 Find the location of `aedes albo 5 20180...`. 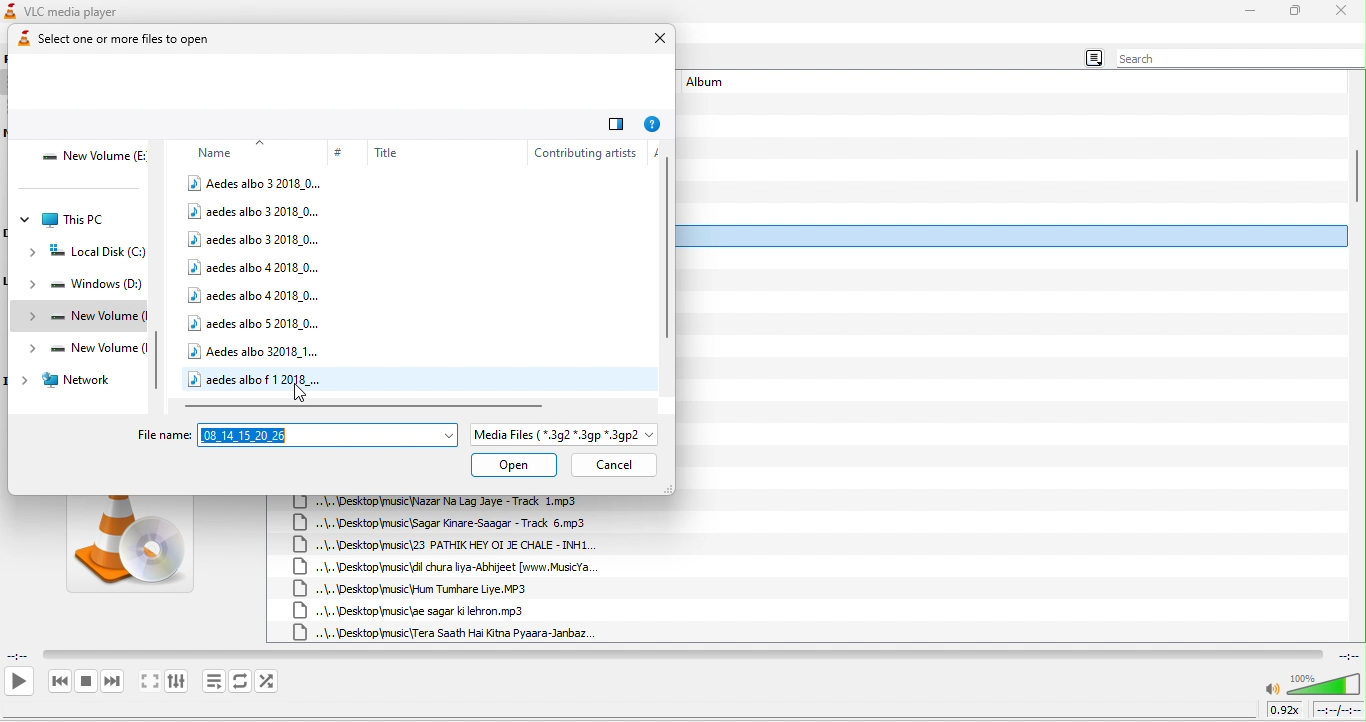

aedes albo 5 20180... is located at coordinates (256, 323).